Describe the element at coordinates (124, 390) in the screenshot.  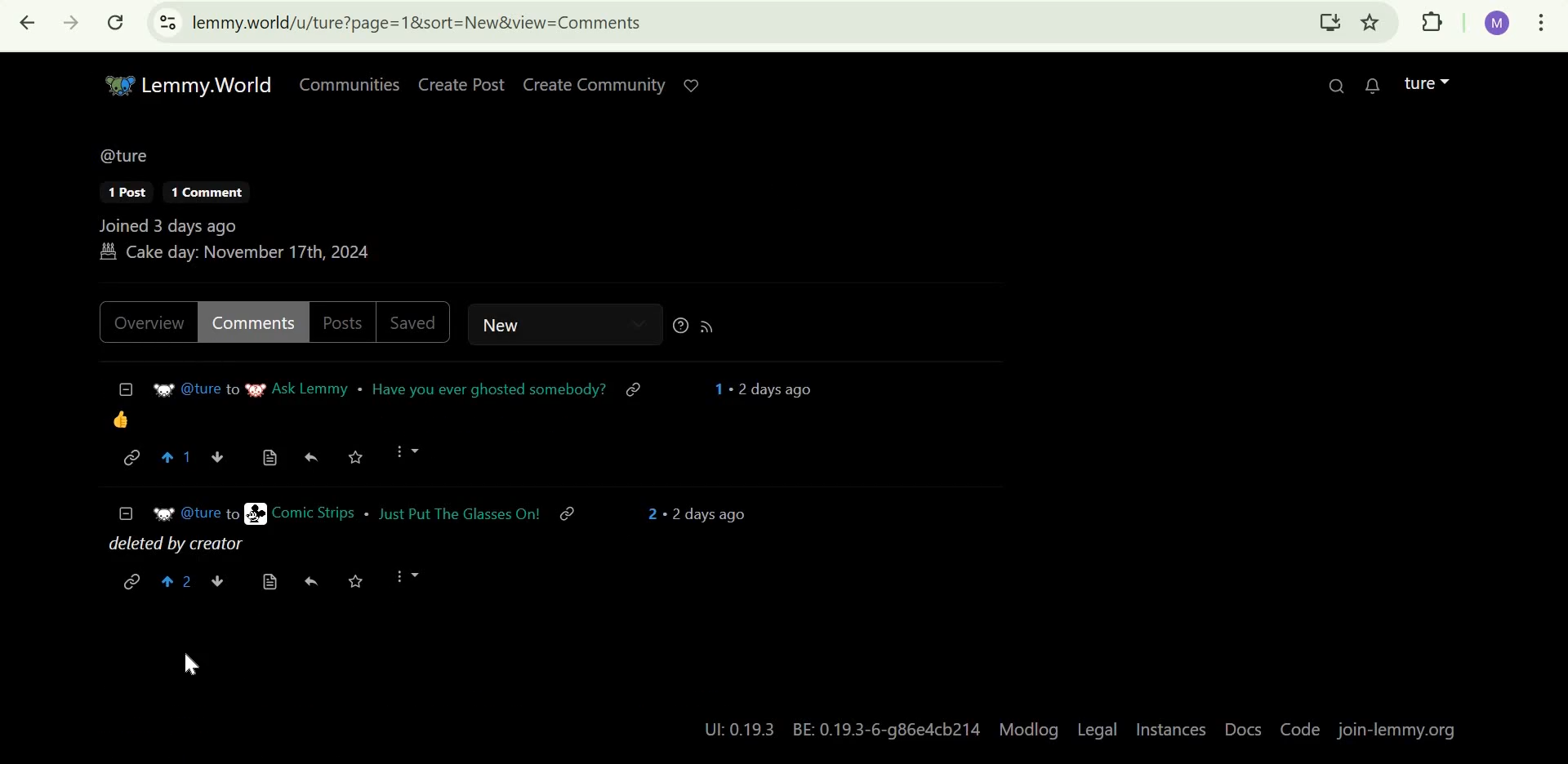
I see `collapse` at that location.